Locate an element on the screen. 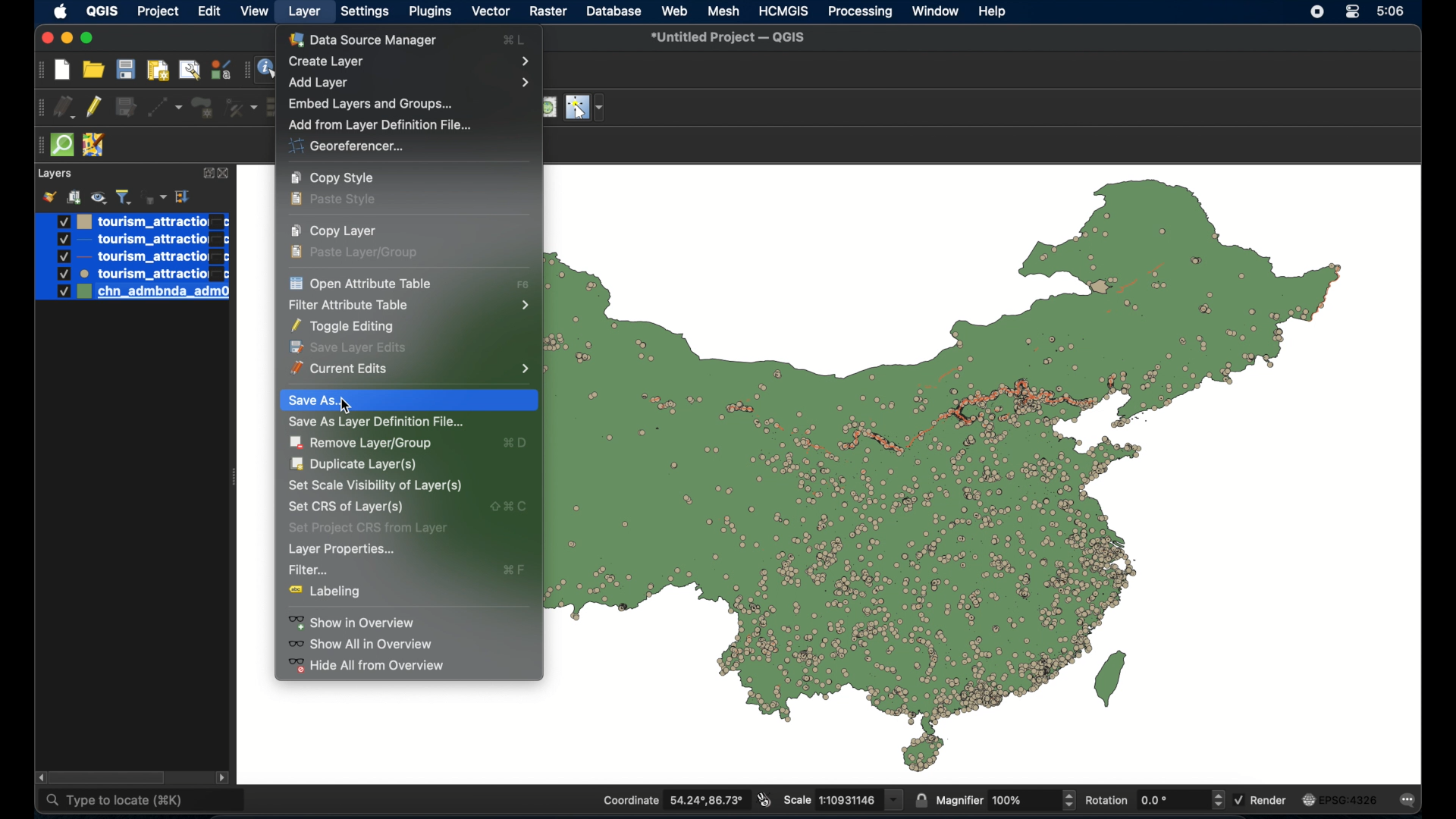 The height and width of the screenshot is (819, 1456). layer 2 is located at coordinates (133, 240).